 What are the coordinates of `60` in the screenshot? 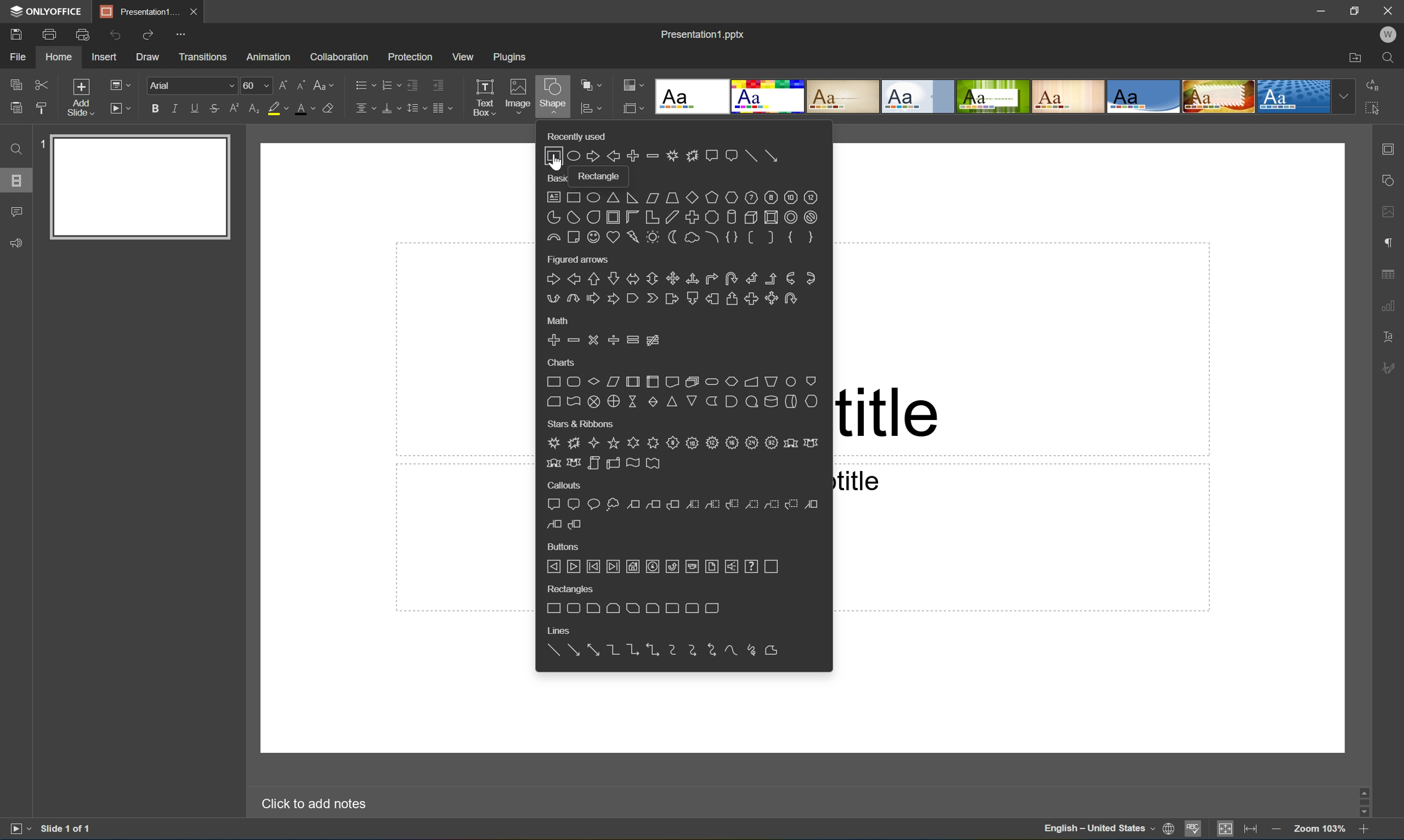 It's located at (255, 85).